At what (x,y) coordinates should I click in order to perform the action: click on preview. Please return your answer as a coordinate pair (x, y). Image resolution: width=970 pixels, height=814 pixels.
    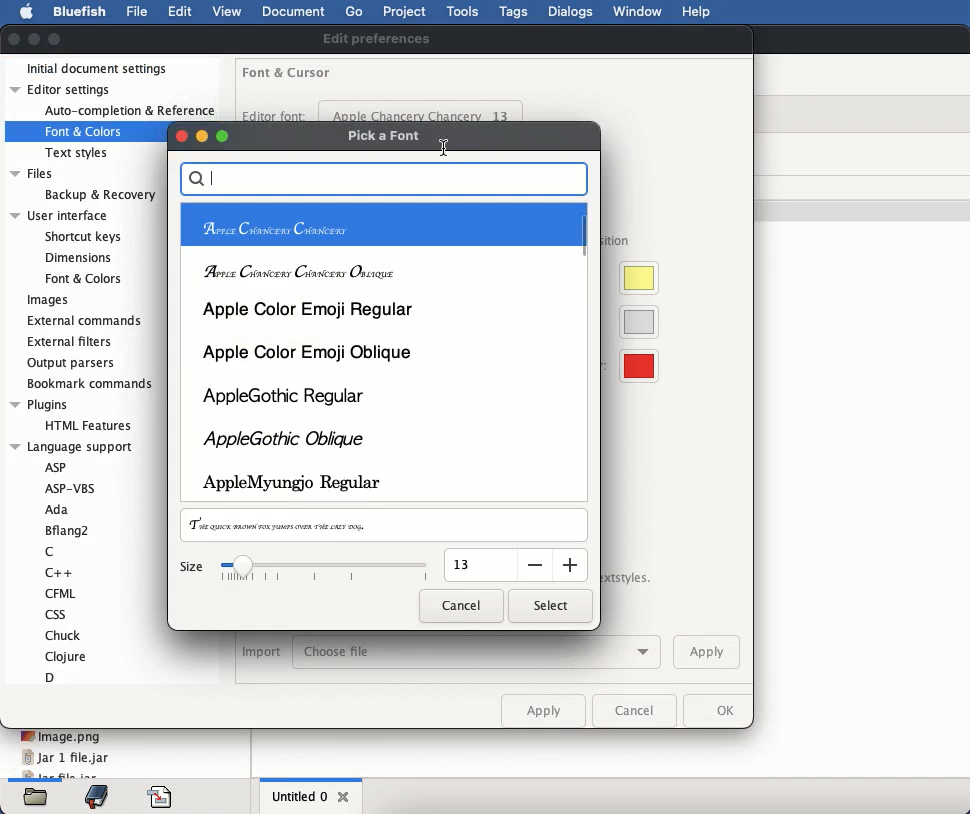
    Looking at the image, I should click on (286, 527).